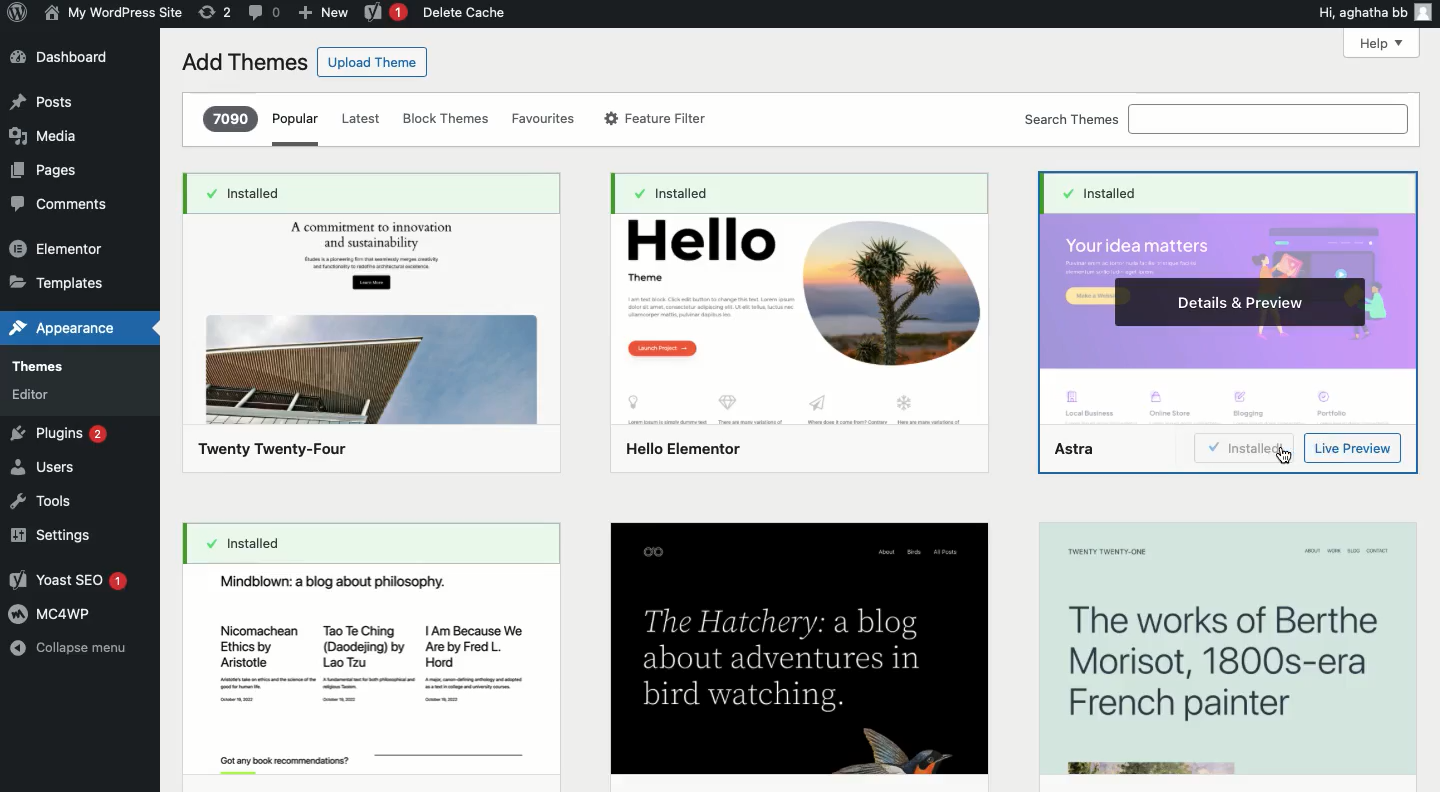  Describe the element at coordinates (370, 62) in the screenshot. I see `Upload theme` at that location.